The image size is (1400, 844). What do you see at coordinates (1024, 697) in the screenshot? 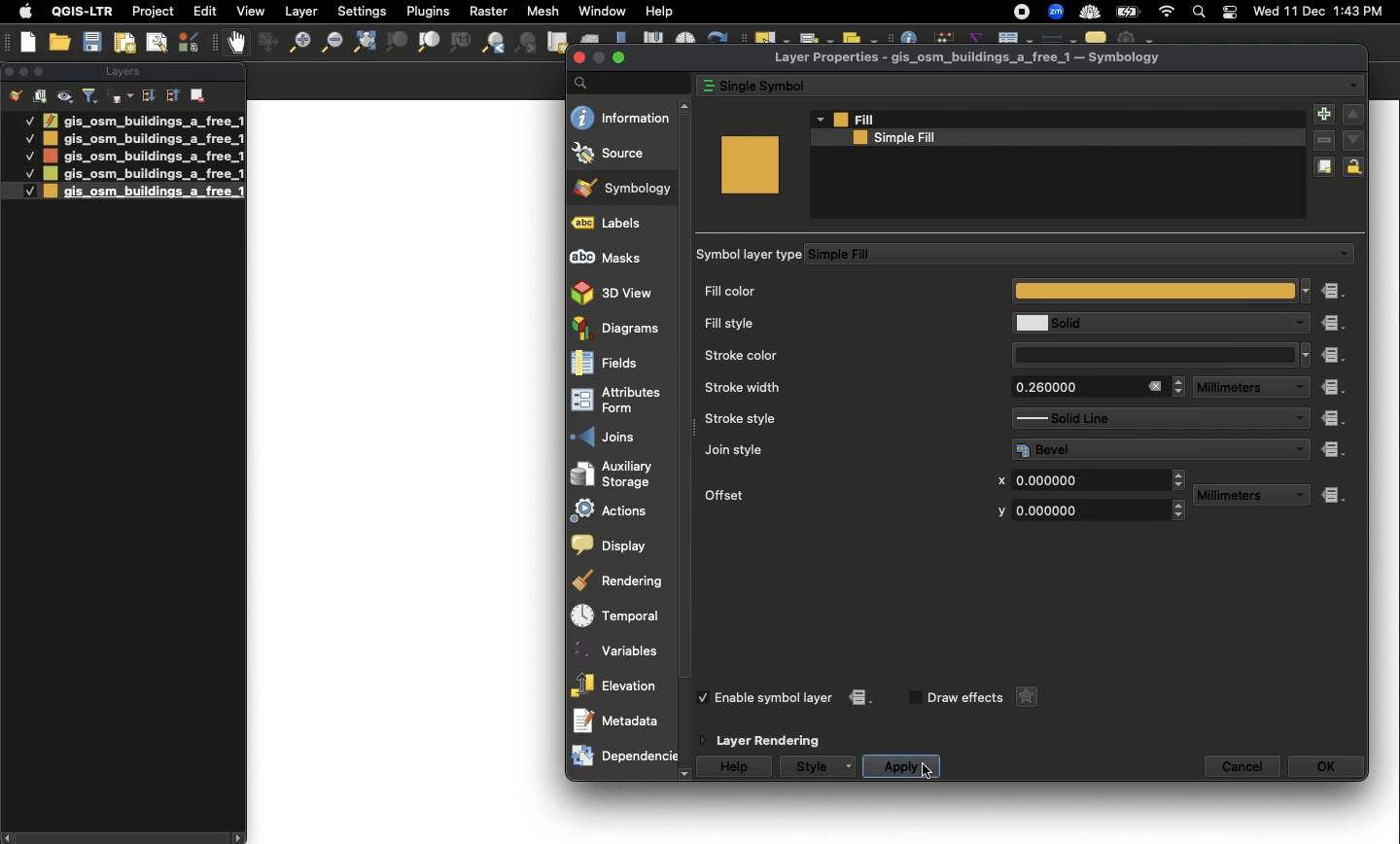
I see `Star` at bounding box center [1024, 697].